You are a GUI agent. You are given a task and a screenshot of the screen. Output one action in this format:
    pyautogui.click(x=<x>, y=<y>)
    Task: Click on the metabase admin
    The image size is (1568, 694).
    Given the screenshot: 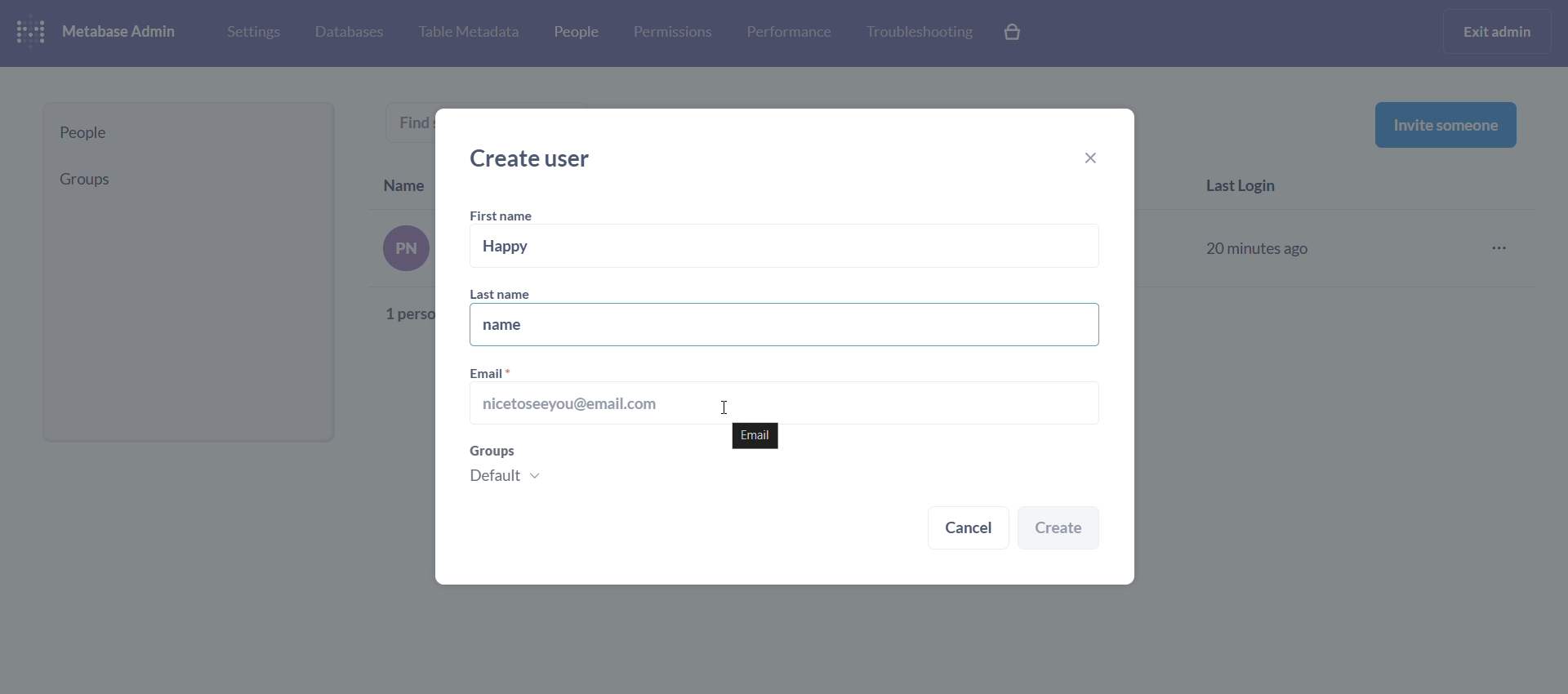 What is the action you would take?
    pyautogui.click(x=126, y=33)
    